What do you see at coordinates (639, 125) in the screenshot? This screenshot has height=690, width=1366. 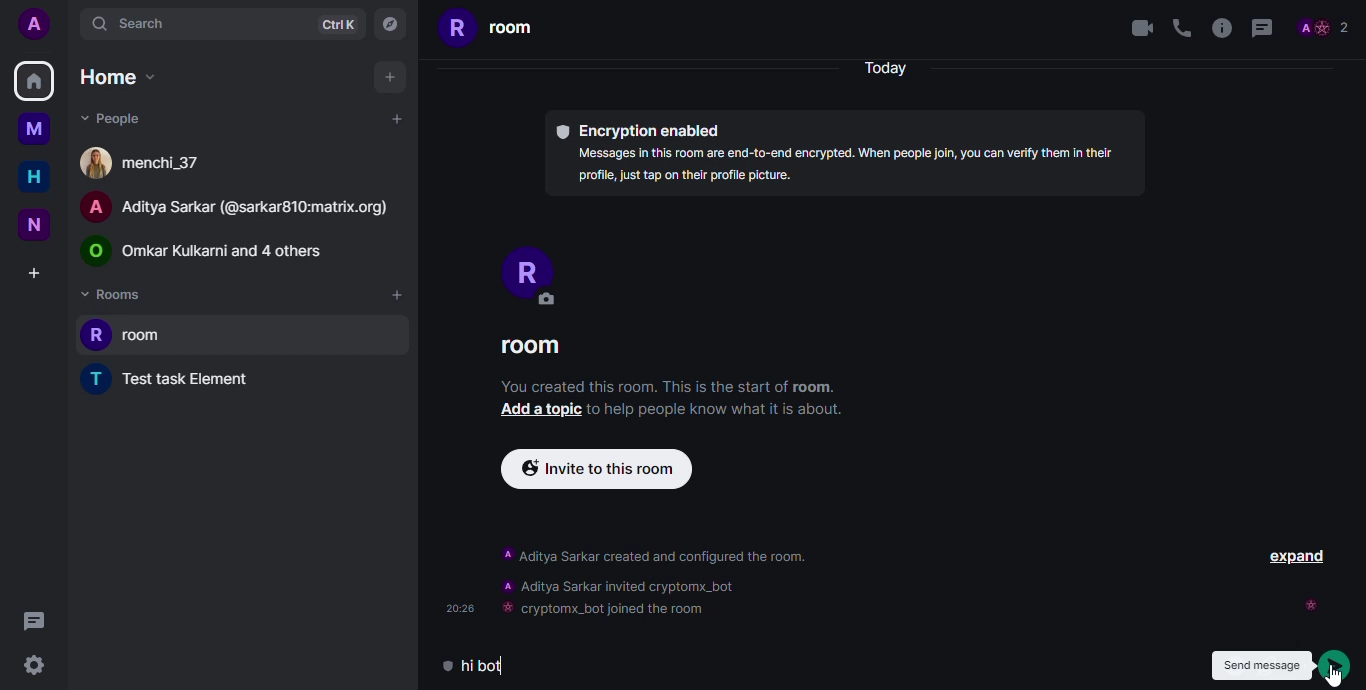 I see `Encryption enabled` at bounding box center [639, 125].